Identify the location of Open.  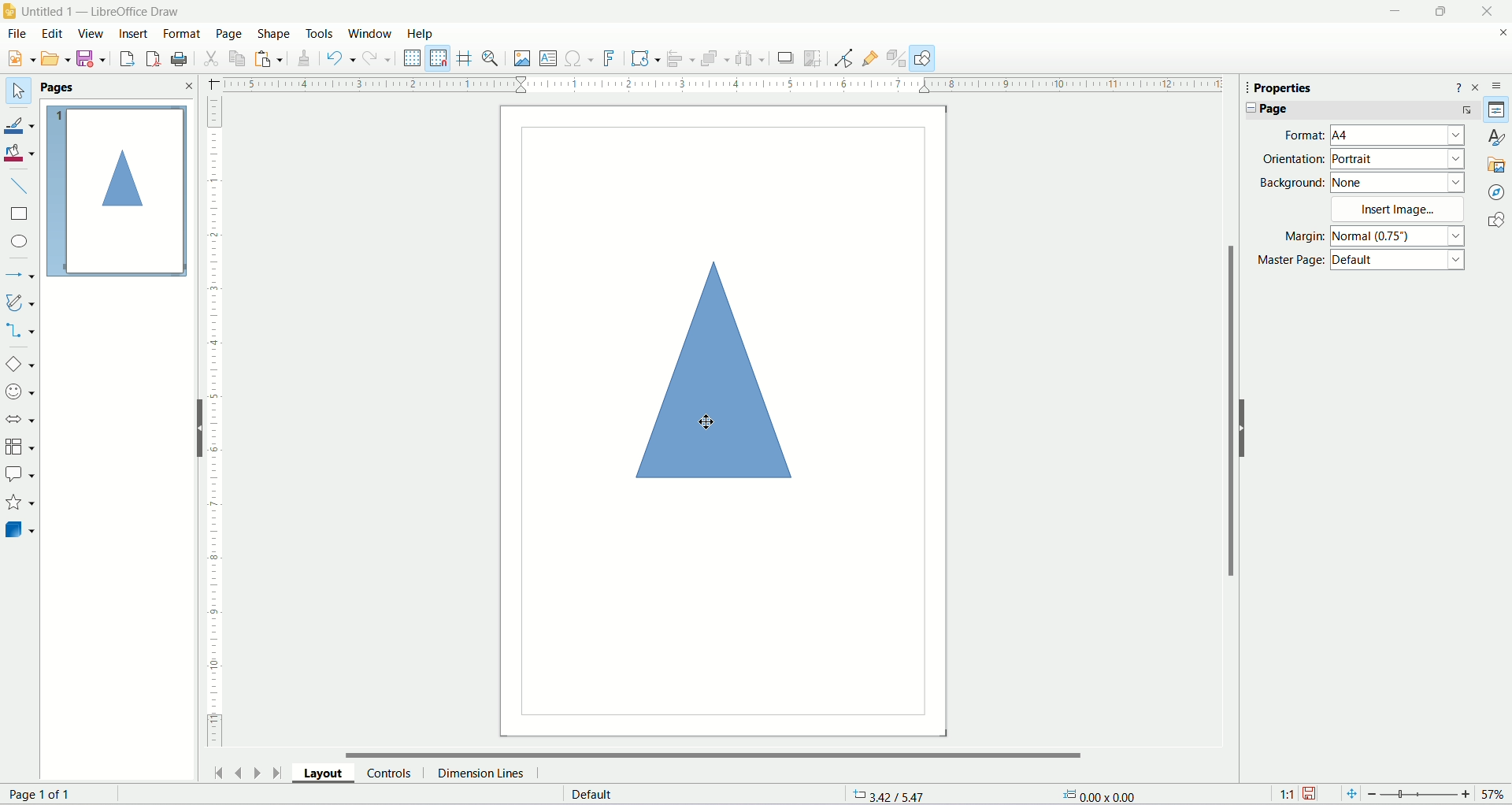
(54, 57).